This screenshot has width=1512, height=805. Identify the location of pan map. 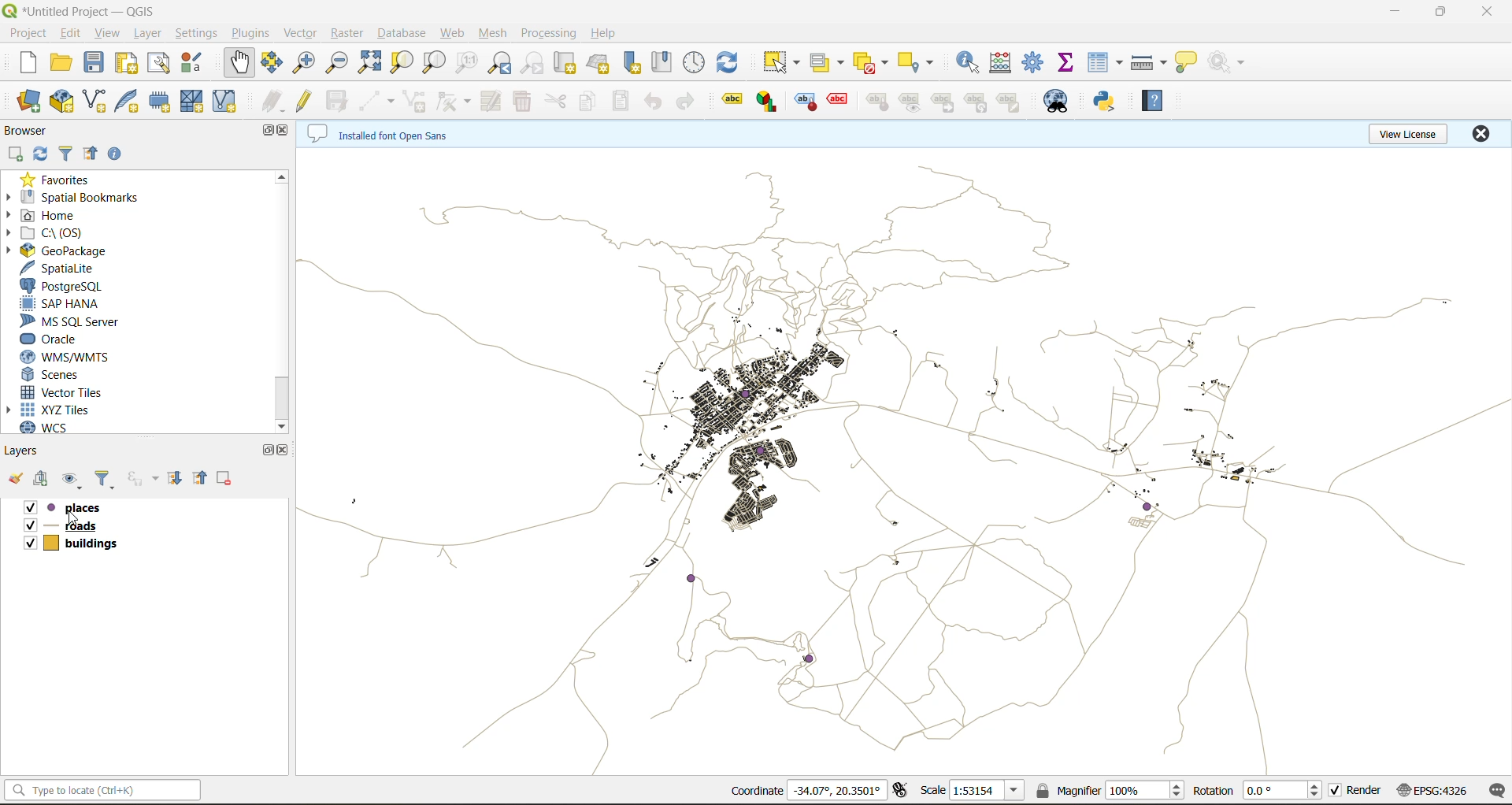
(239, 64).